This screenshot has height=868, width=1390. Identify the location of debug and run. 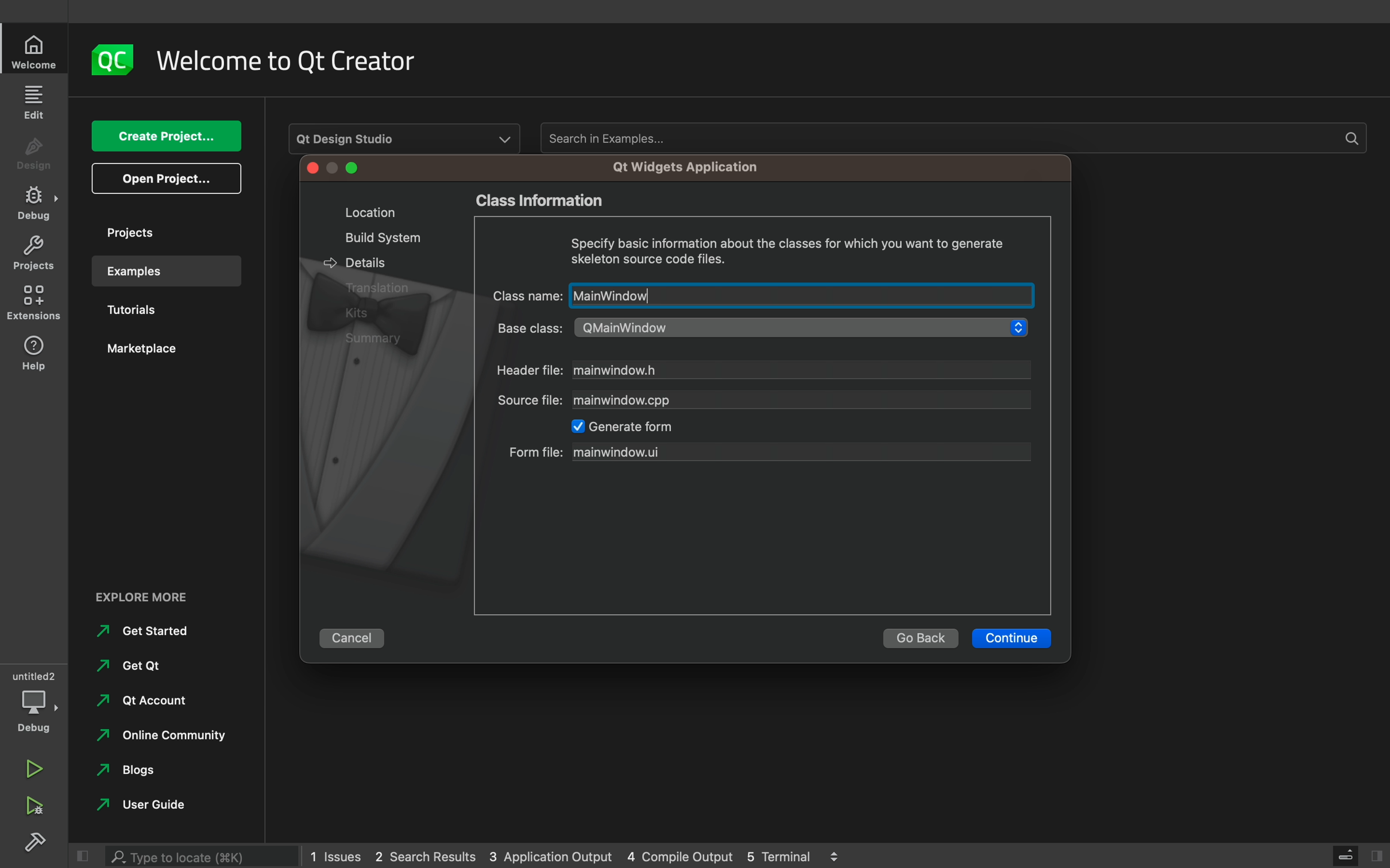
(34, 805).